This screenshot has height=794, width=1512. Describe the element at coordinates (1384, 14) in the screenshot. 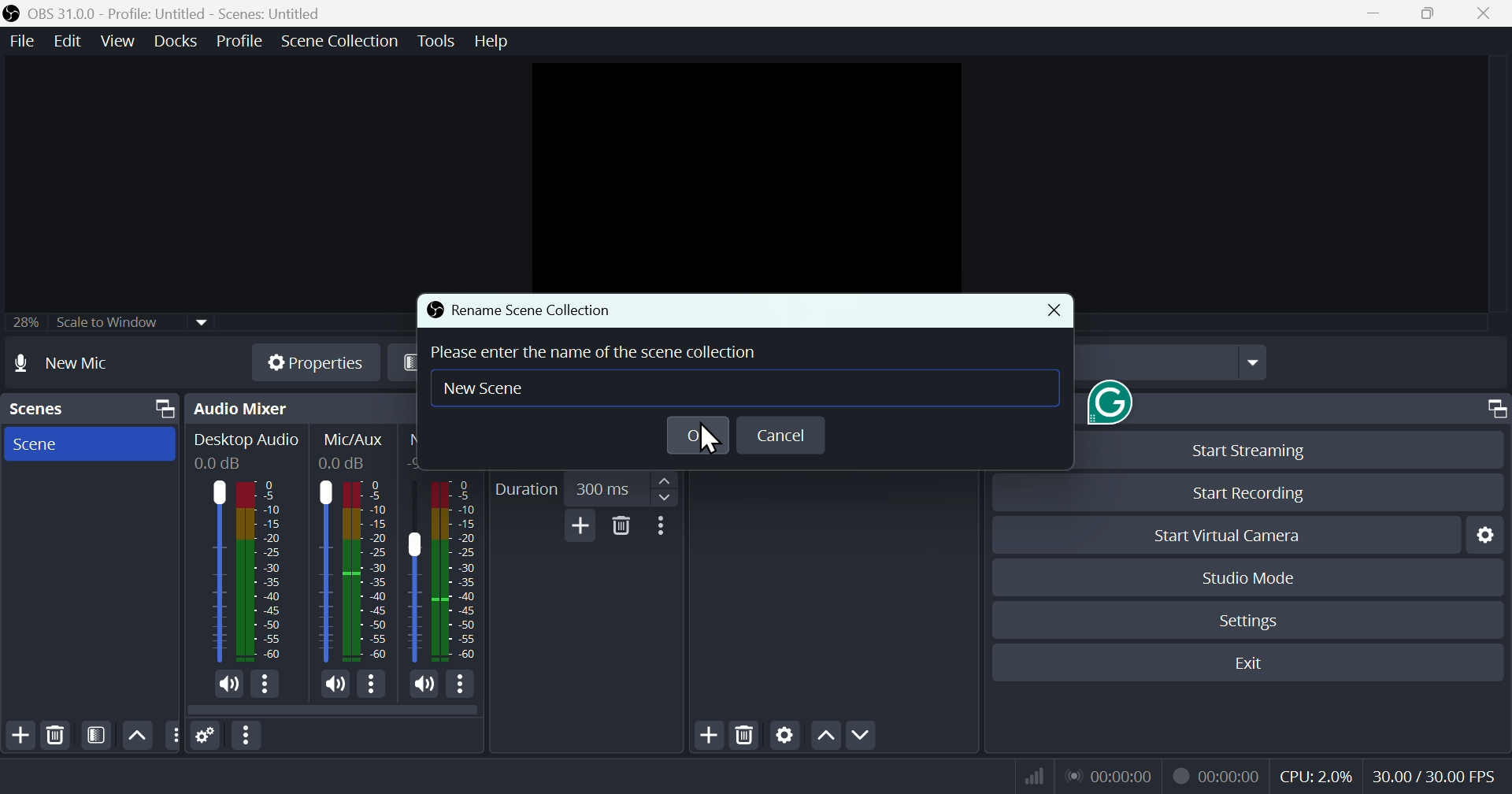

I see `minimise` at that location.